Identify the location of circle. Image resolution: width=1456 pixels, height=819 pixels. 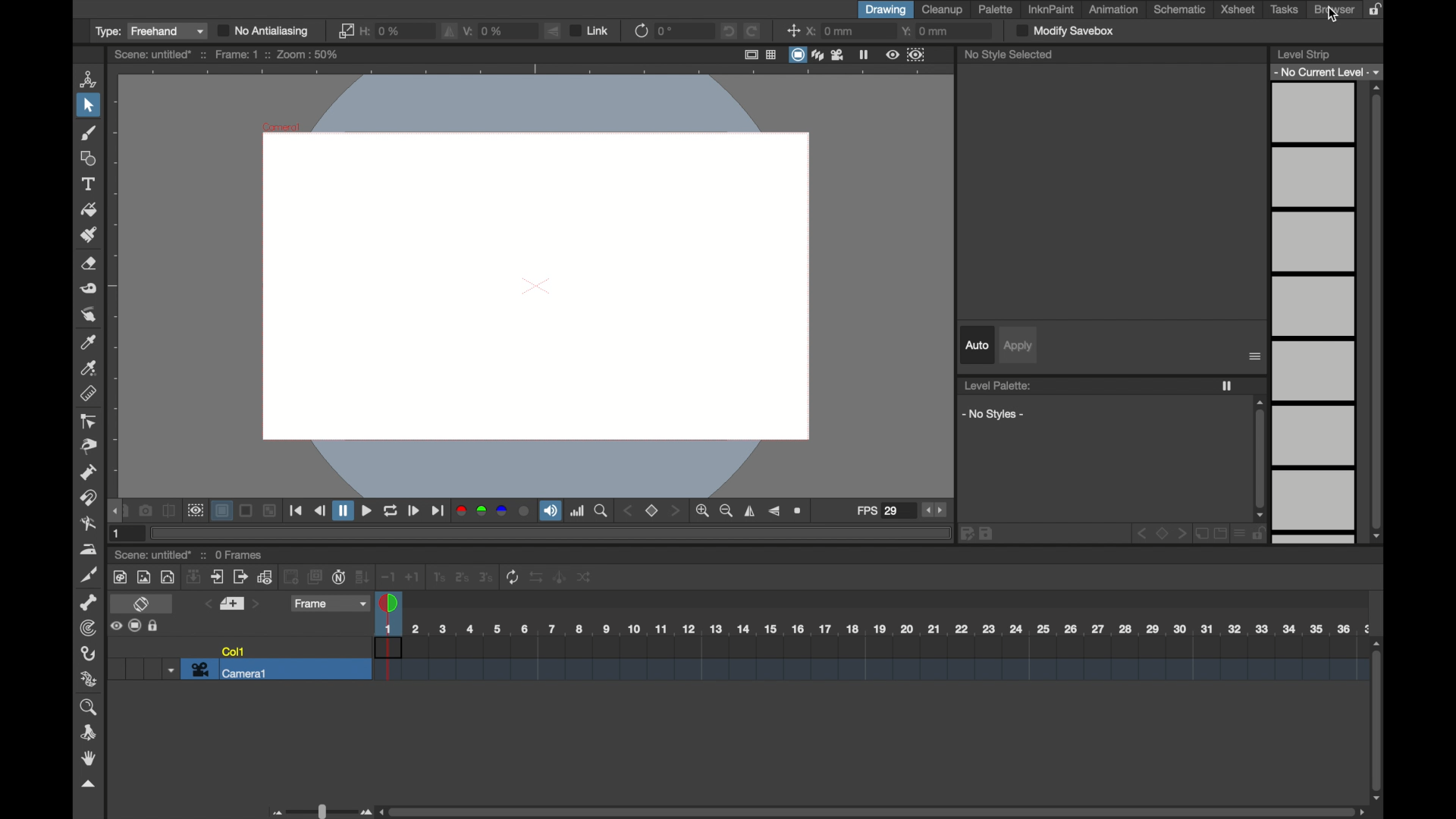
(168, 576).